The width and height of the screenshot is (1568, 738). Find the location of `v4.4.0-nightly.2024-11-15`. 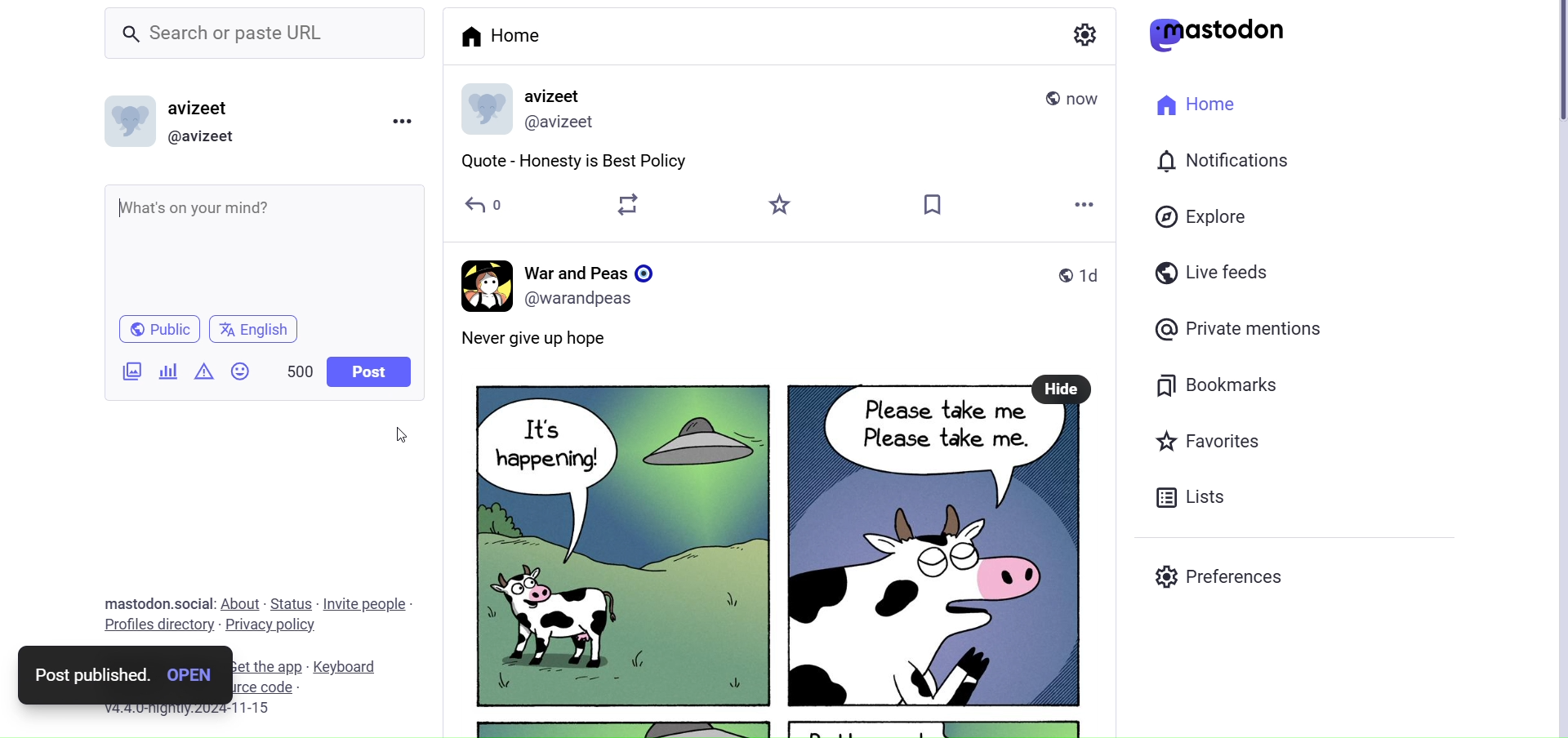

v4.4.0-nightly.2024-11-15 is located at coordinates (201, 714).